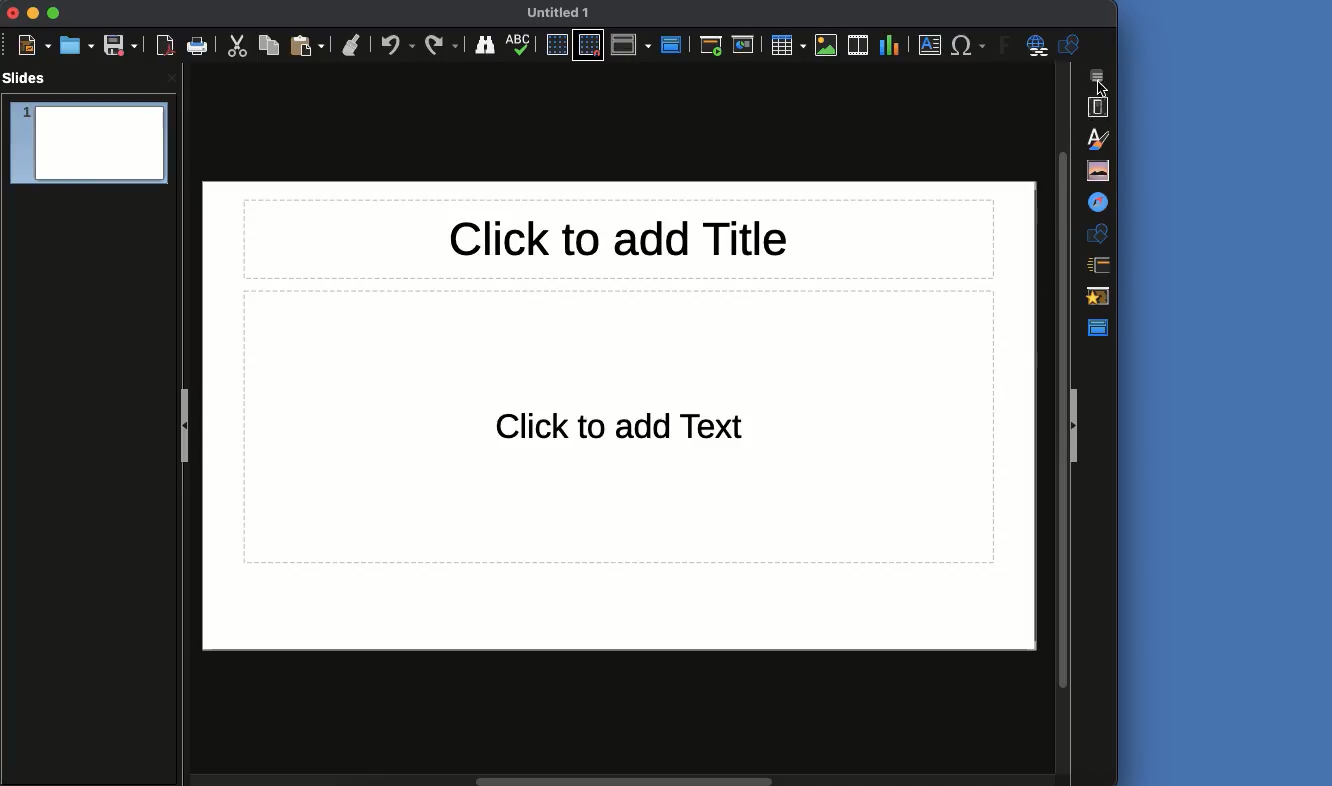 The image size is (1332, 786). What do you see at coordinates (1000, 47) in the screenshot?
I see `Fontwork text` at bounding box center [1000, 47].